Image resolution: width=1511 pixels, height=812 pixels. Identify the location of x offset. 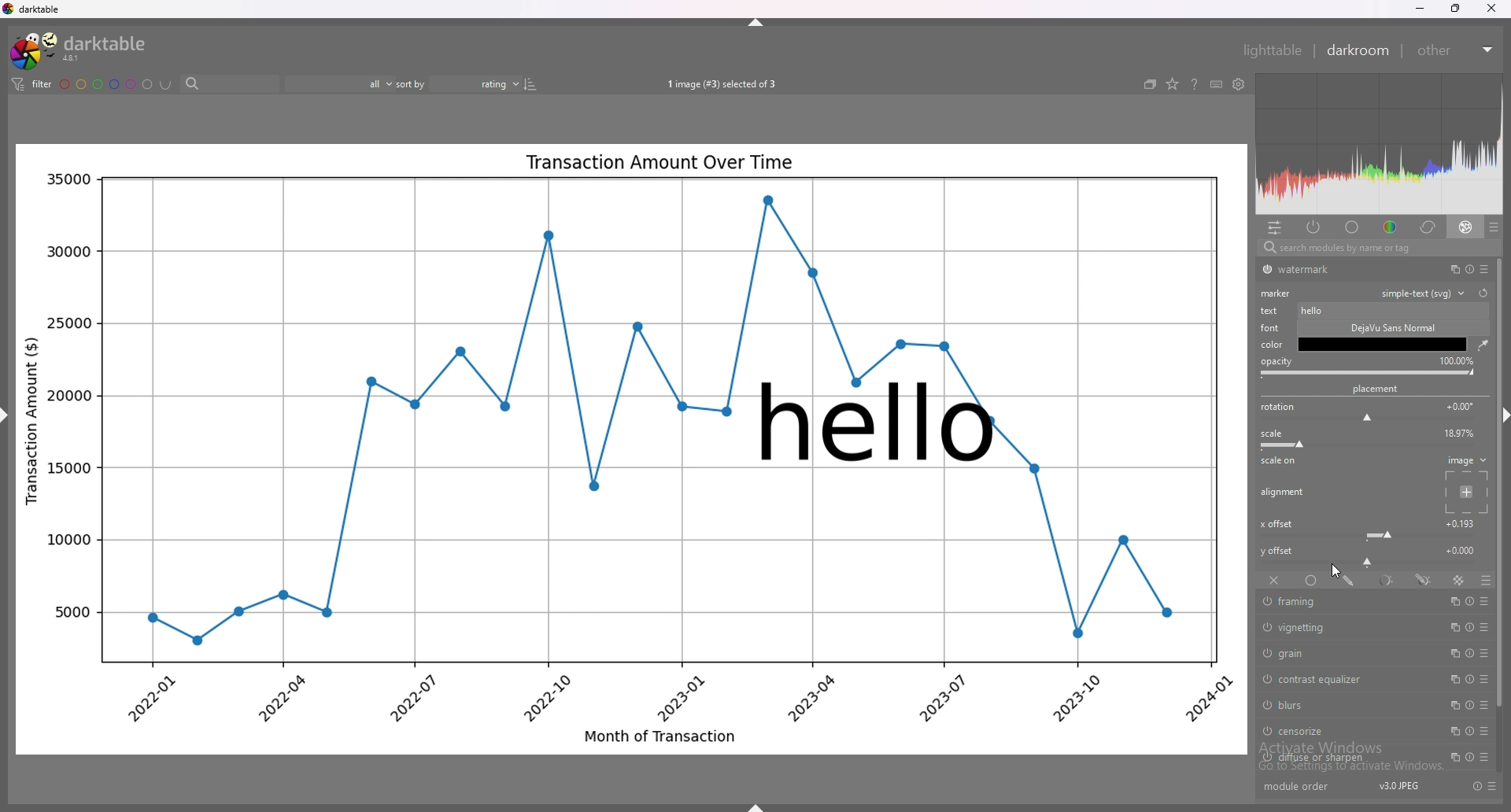
(1462, 522).